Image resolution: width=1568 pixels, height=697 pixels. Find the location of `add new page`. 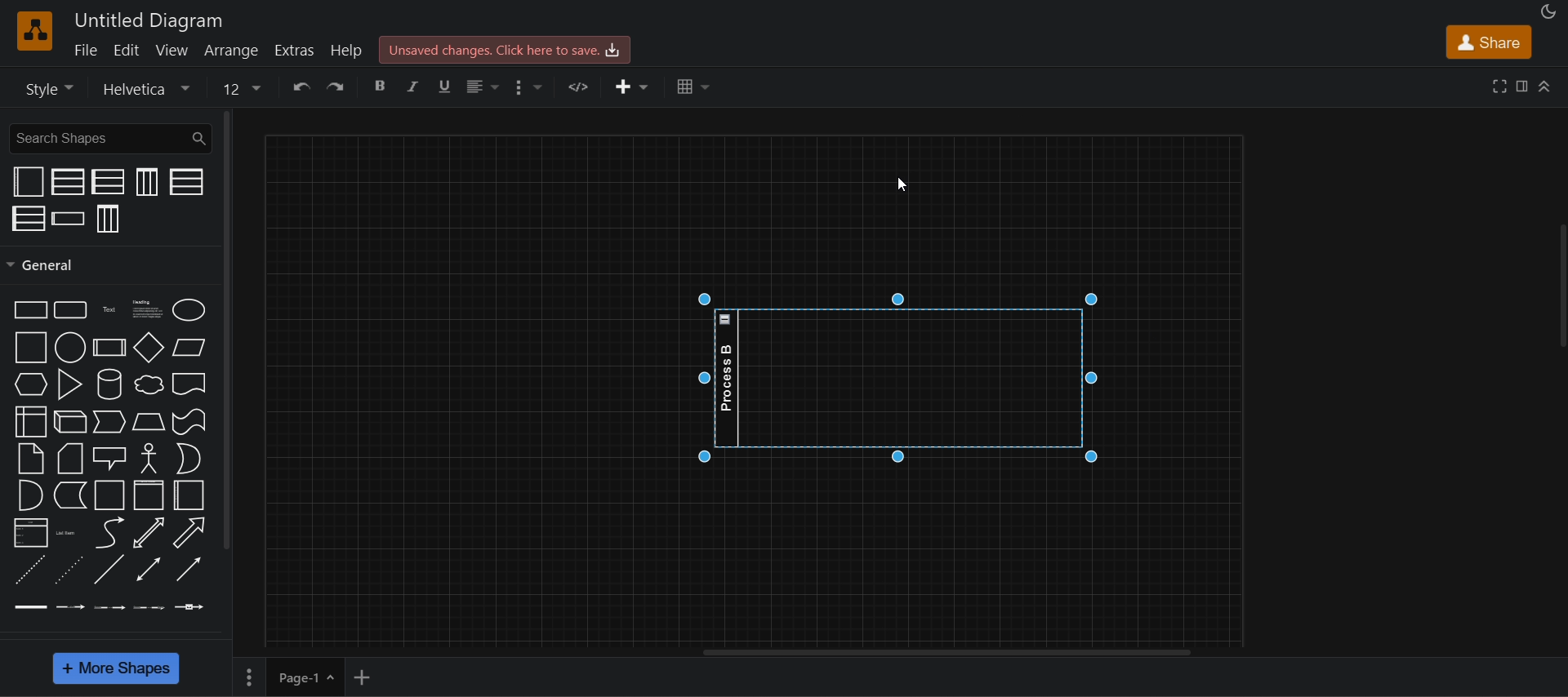

add new page is located at coordinates (369, 675).